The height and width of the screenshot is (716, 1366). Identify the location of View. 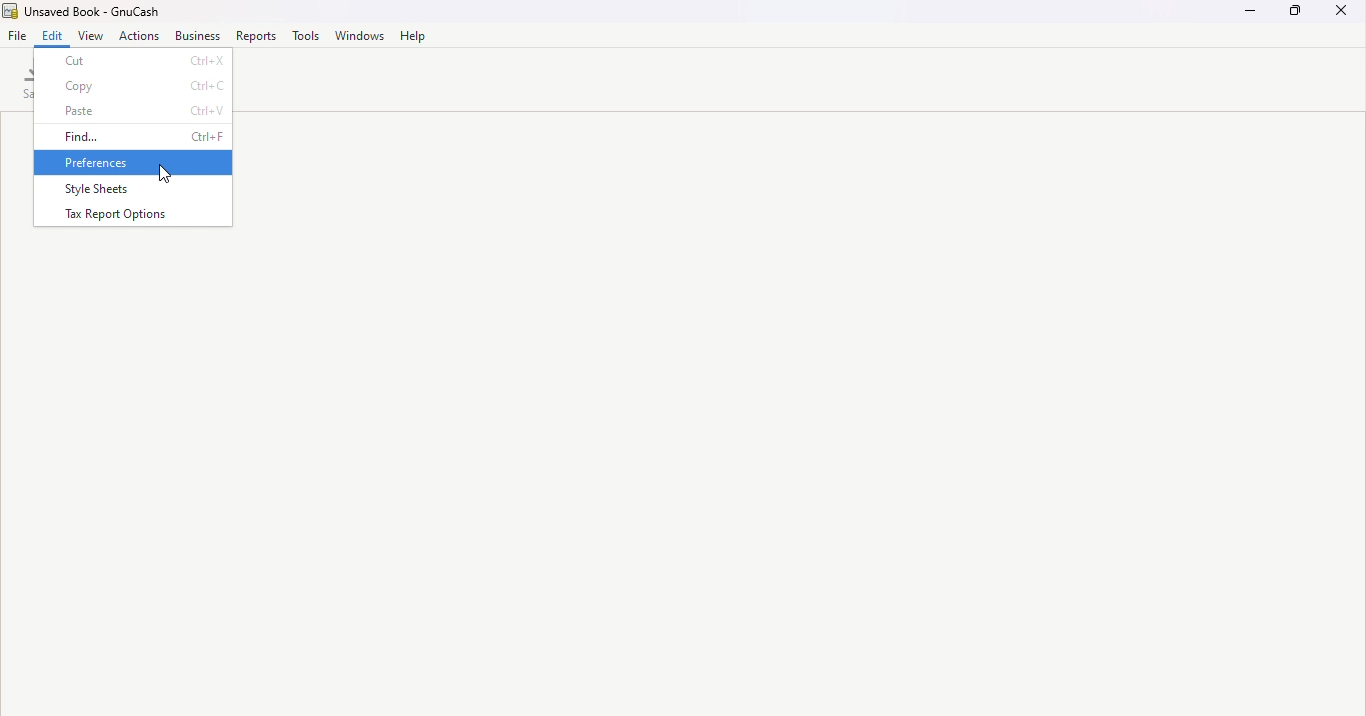
(92, 35).